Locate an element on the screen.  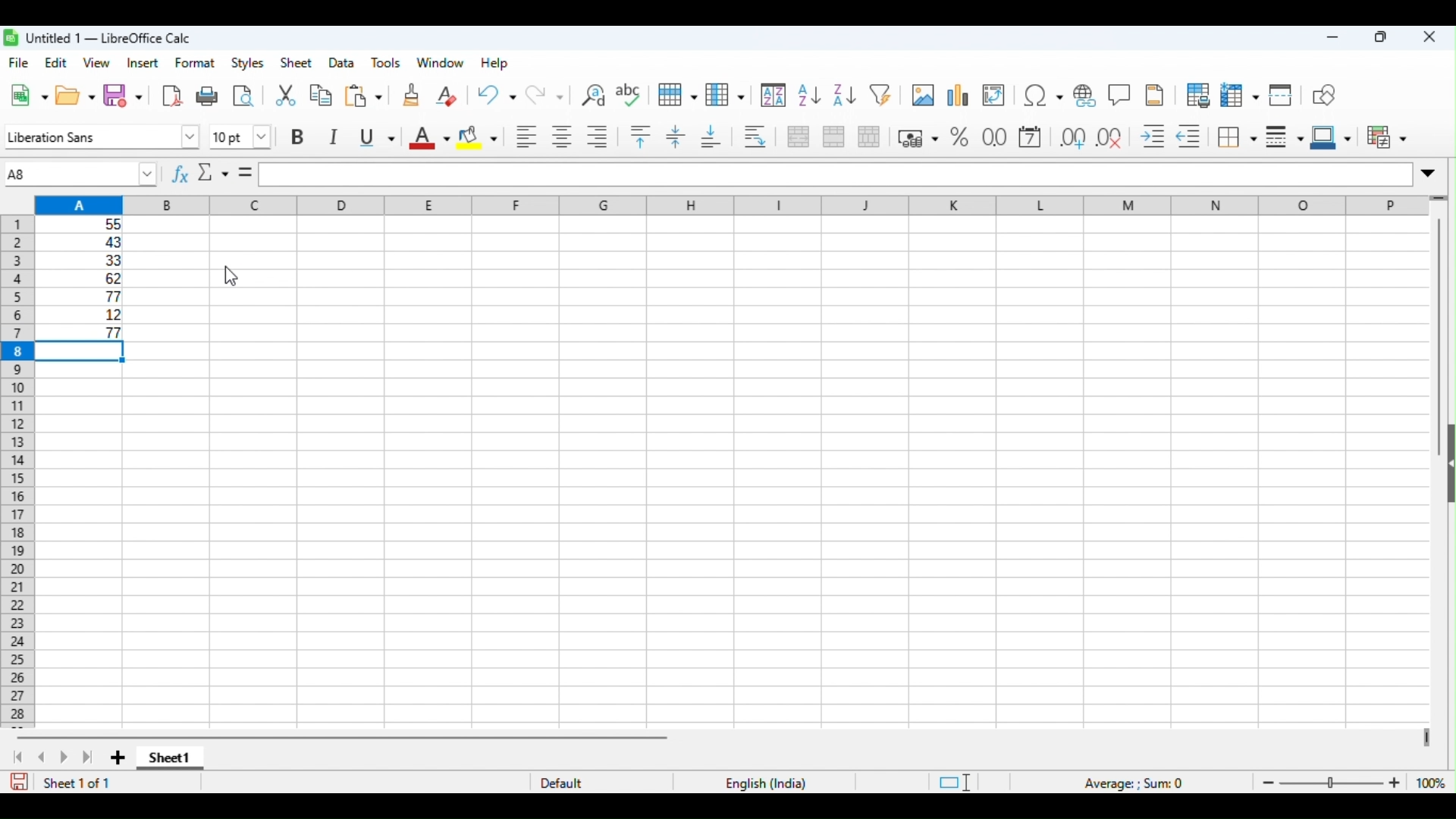
format is located at coordinates (196, 63).